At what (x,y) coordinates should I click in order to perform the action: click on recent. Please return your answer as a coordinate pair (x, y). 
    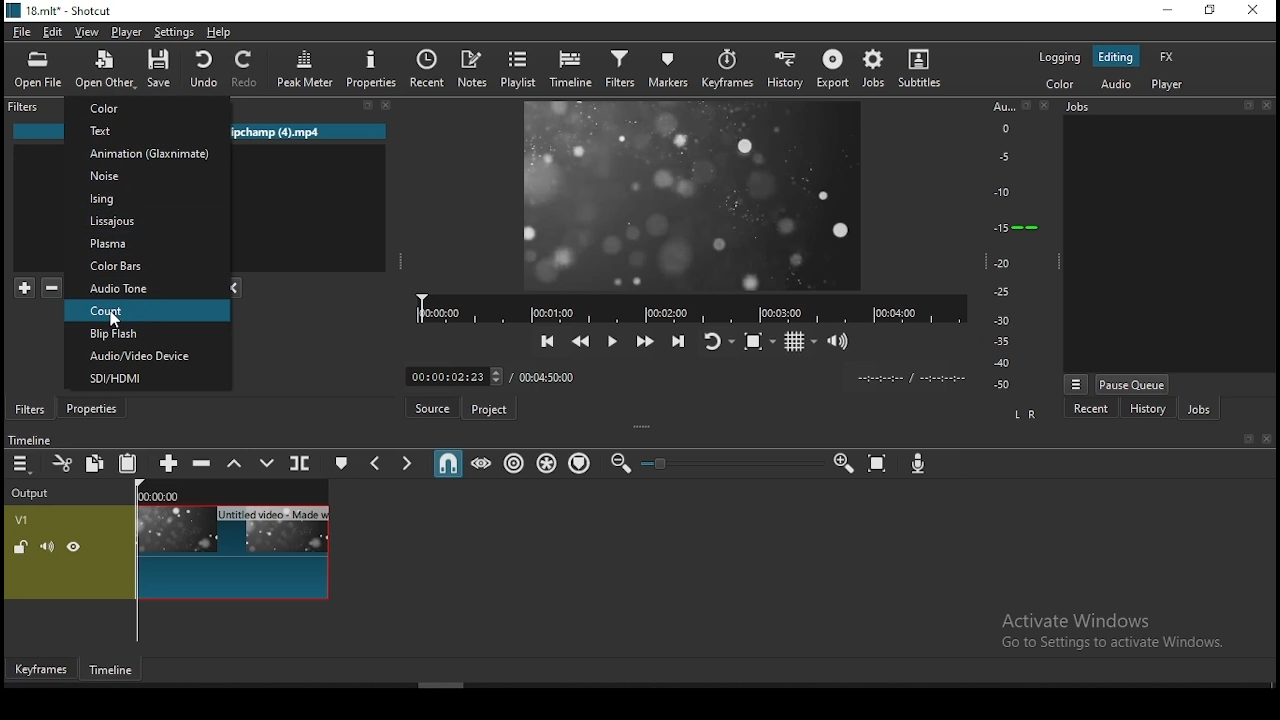
    Looking at the image, I should click on (1092, 411).